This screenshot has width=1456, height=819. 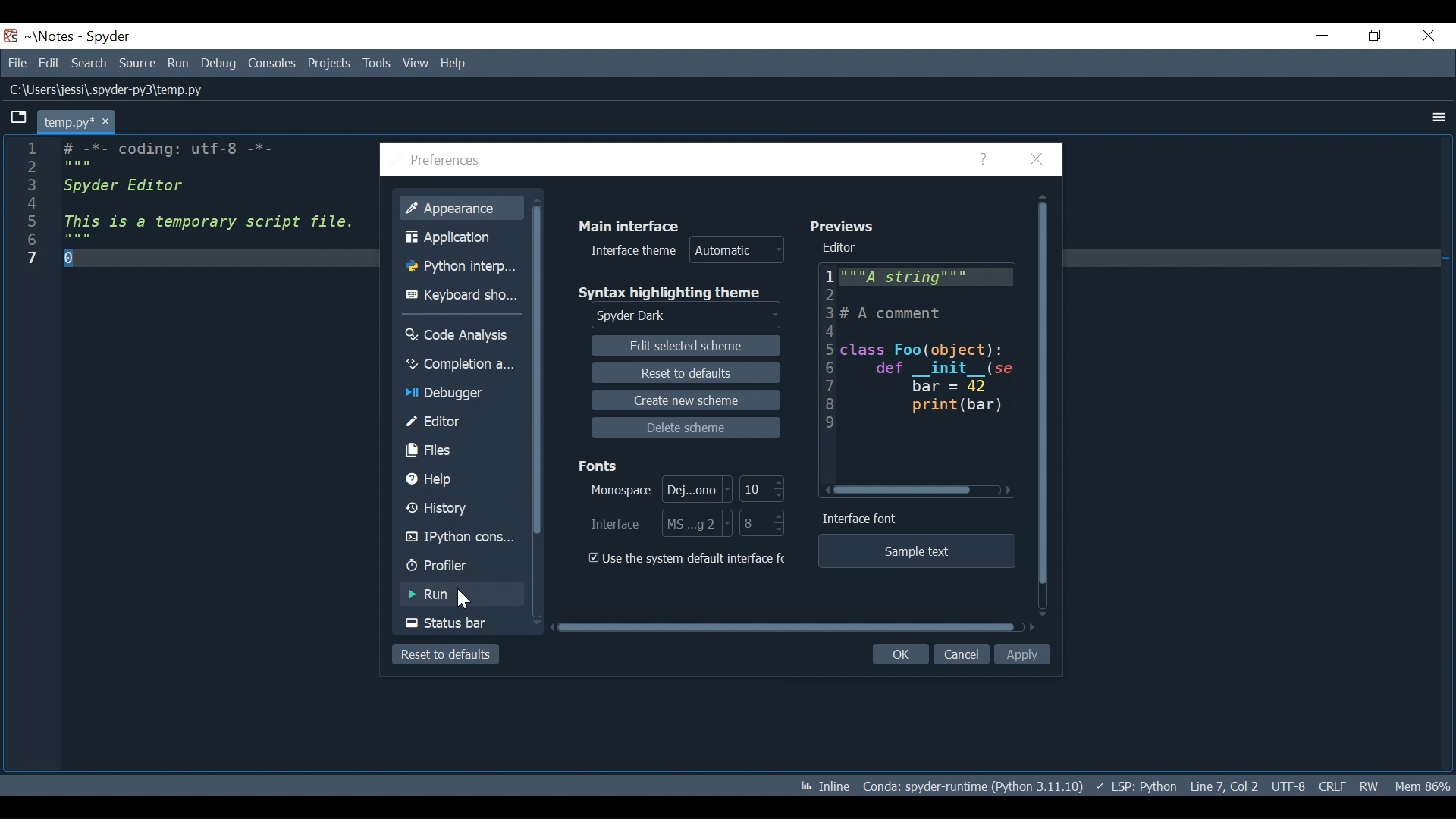 I want to click on # -*- coding: utf-8 -*- """ Spyder Editor  This is a temporary script file. """, so click(x=208, y=202).